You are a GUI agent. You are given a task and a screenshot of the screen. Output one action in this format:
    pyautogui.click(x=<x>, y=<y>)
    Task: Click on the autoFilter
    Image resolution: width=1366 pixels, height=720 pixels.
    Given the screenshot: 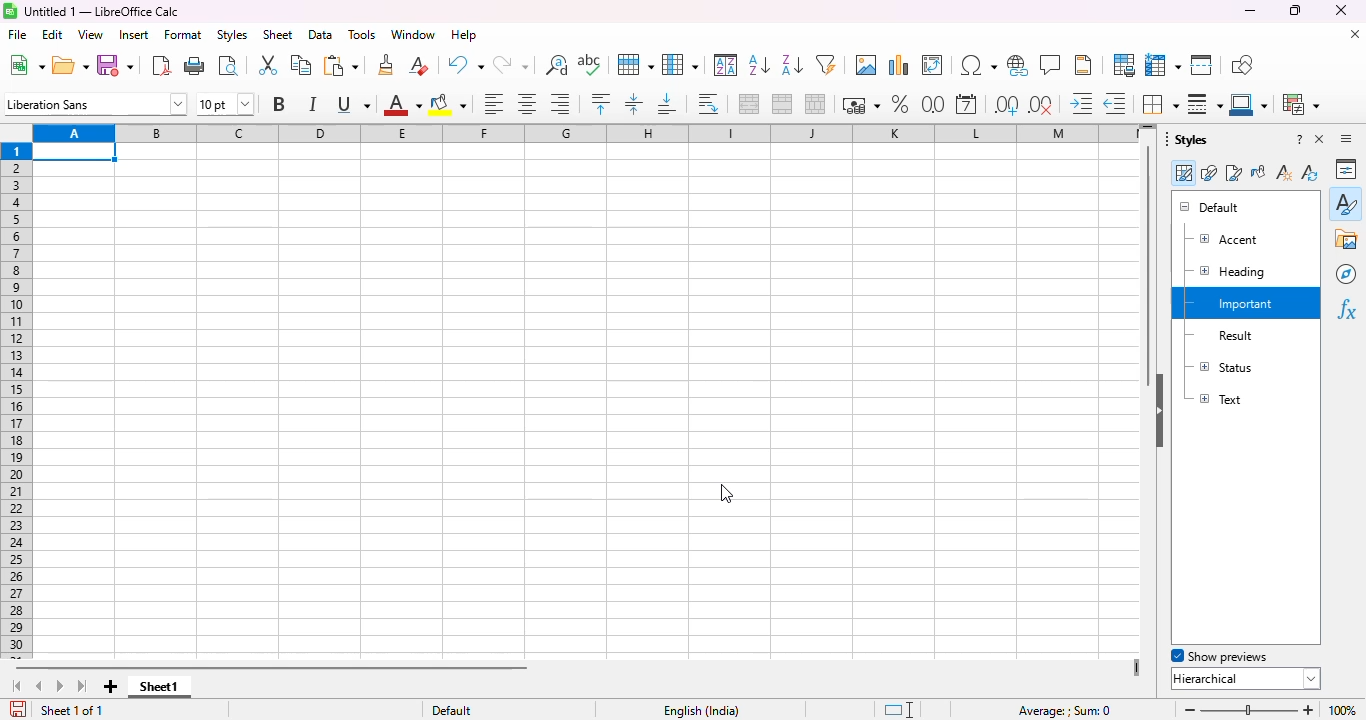 What is the action you would take?
    pyautogui.click(x=826, y=64)
    